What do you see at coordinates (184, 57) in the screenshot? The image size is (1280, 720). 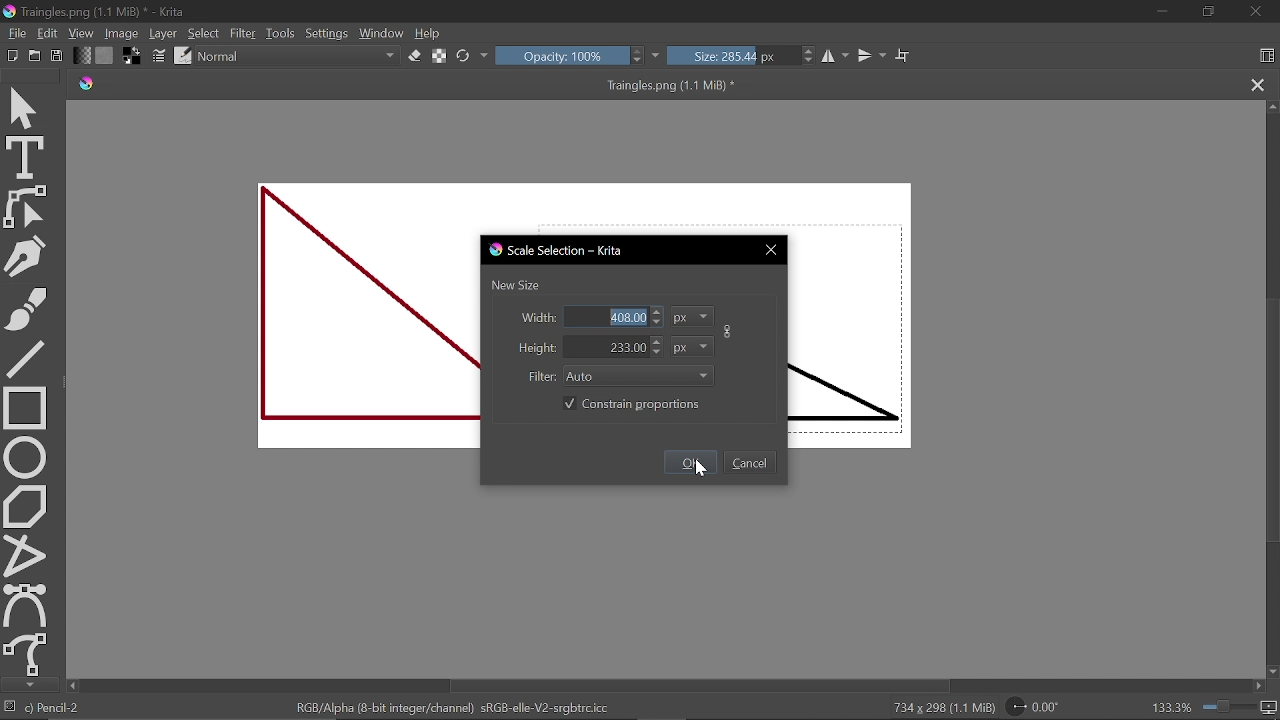 I see `Edit brush preset` at bounding box center [184, 57].